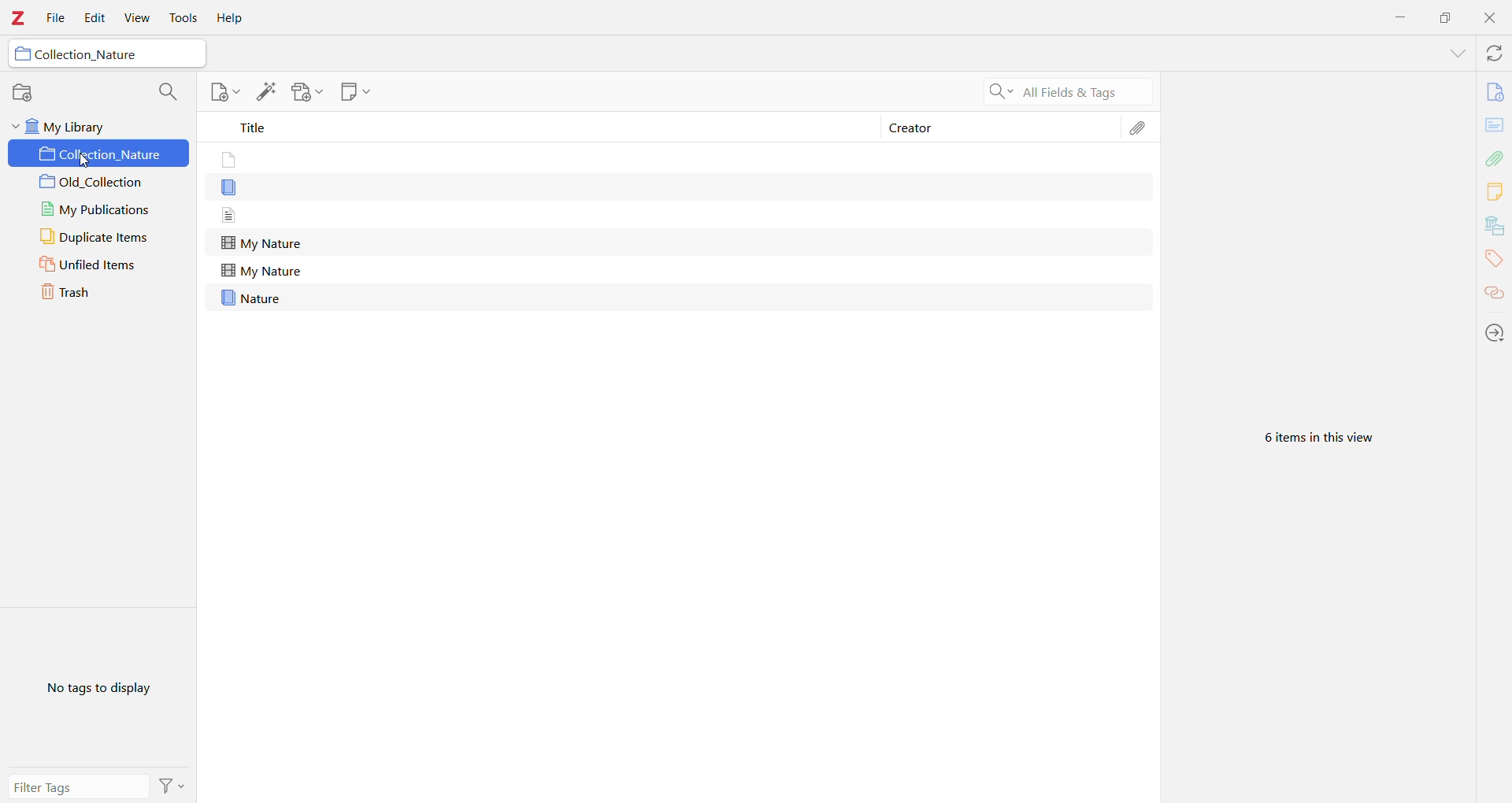  I want to click on Close, so click(1489, 19).